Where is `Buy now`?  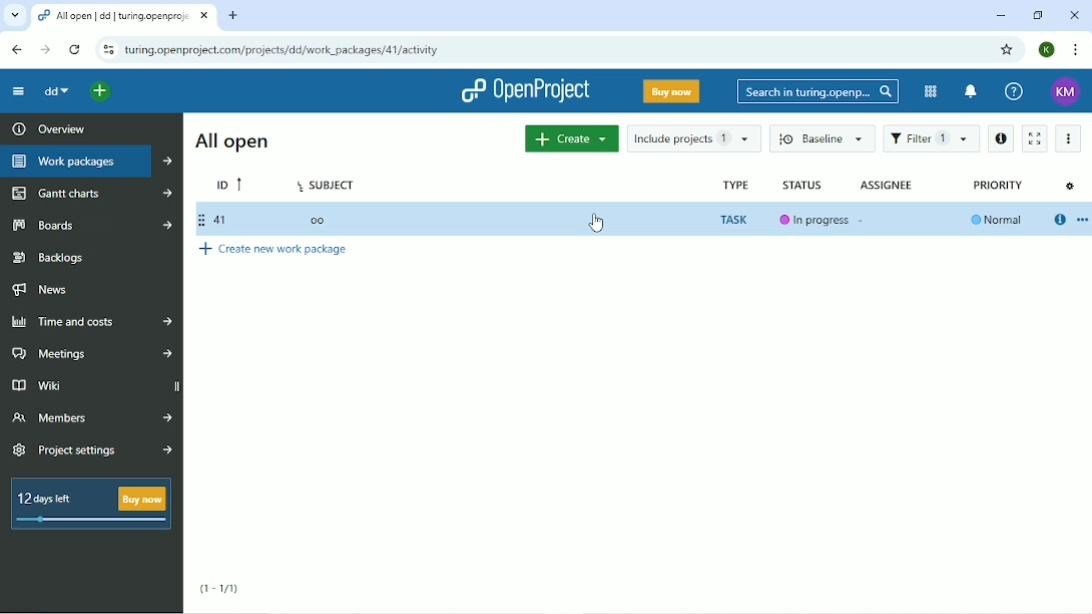 Buy now is located at coordinates (672, 92).